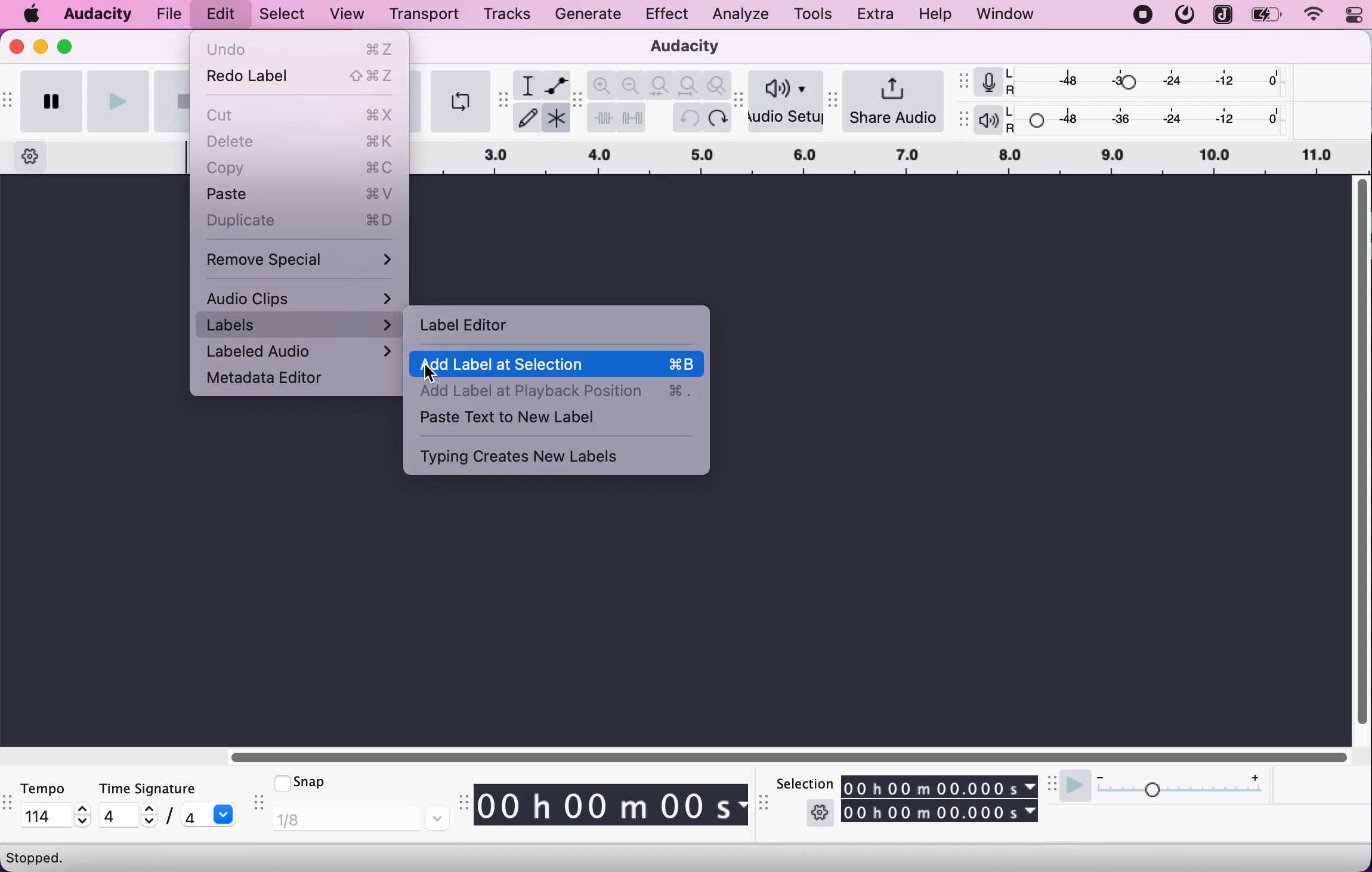 This screenshot has height=872, width=1372. Describe the element at coordinates (508, 14) in the screenshot. I see `tracks` at that location.